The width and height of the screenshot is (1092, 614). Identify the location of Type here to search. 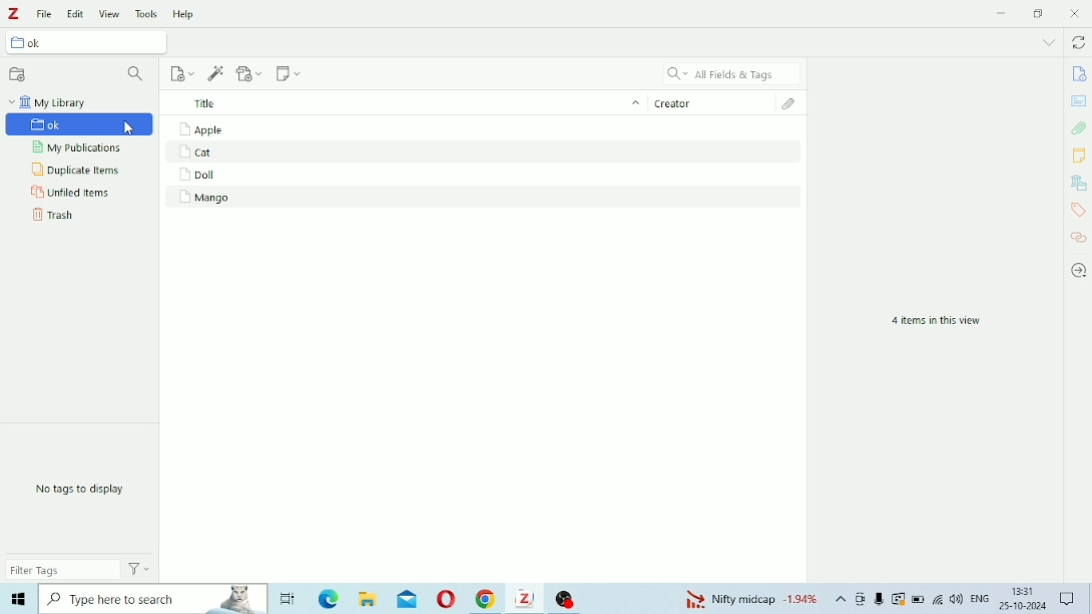
(154, 599).